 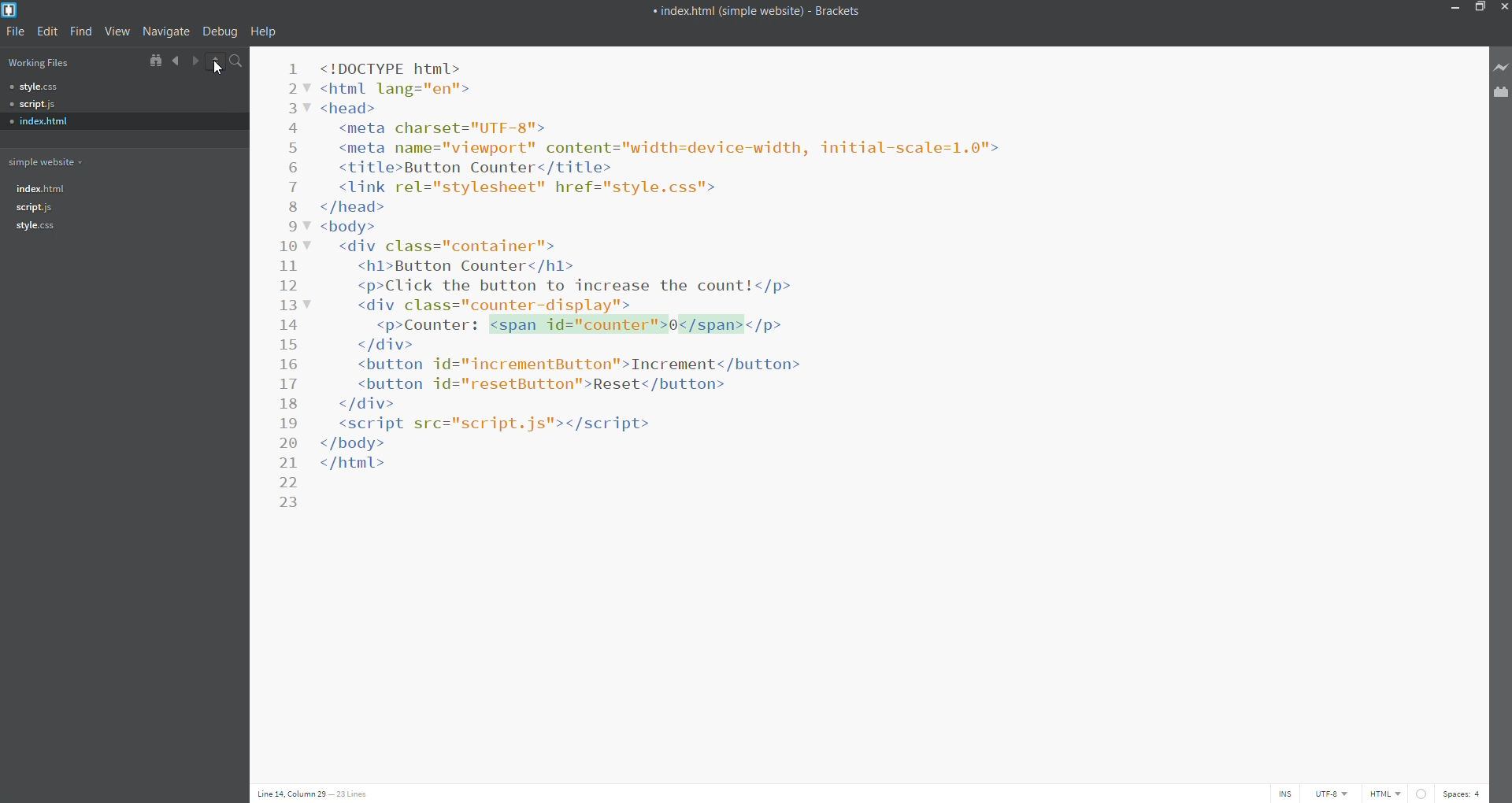 What do you see at coordinates (49, 161) in the screenshot?
I see `simple website` at bounding box center [49, 161].